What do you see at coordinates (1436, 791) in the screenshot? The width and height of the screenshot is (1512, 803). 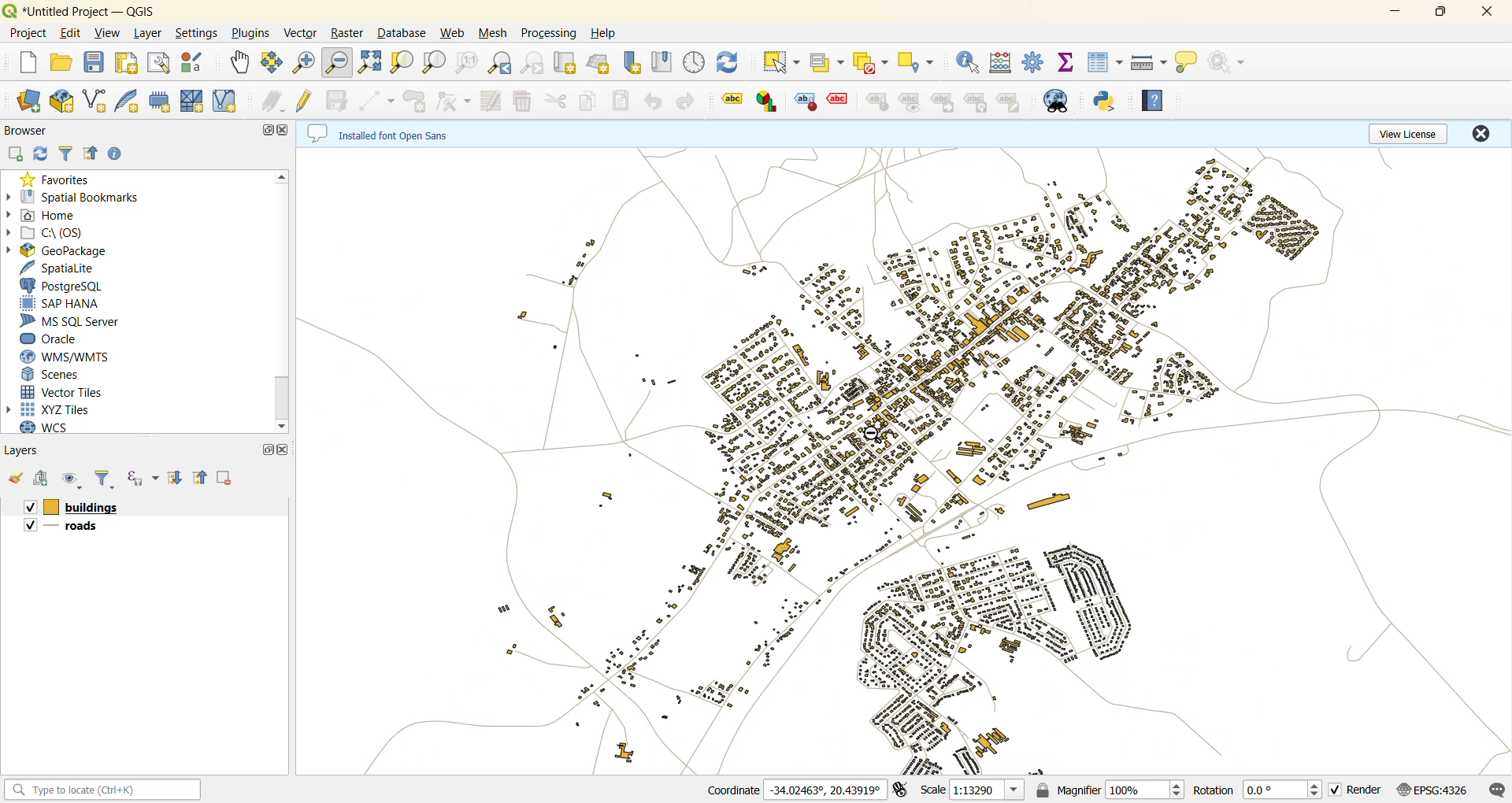 I see `crs` at bounding box center [1436, 791].